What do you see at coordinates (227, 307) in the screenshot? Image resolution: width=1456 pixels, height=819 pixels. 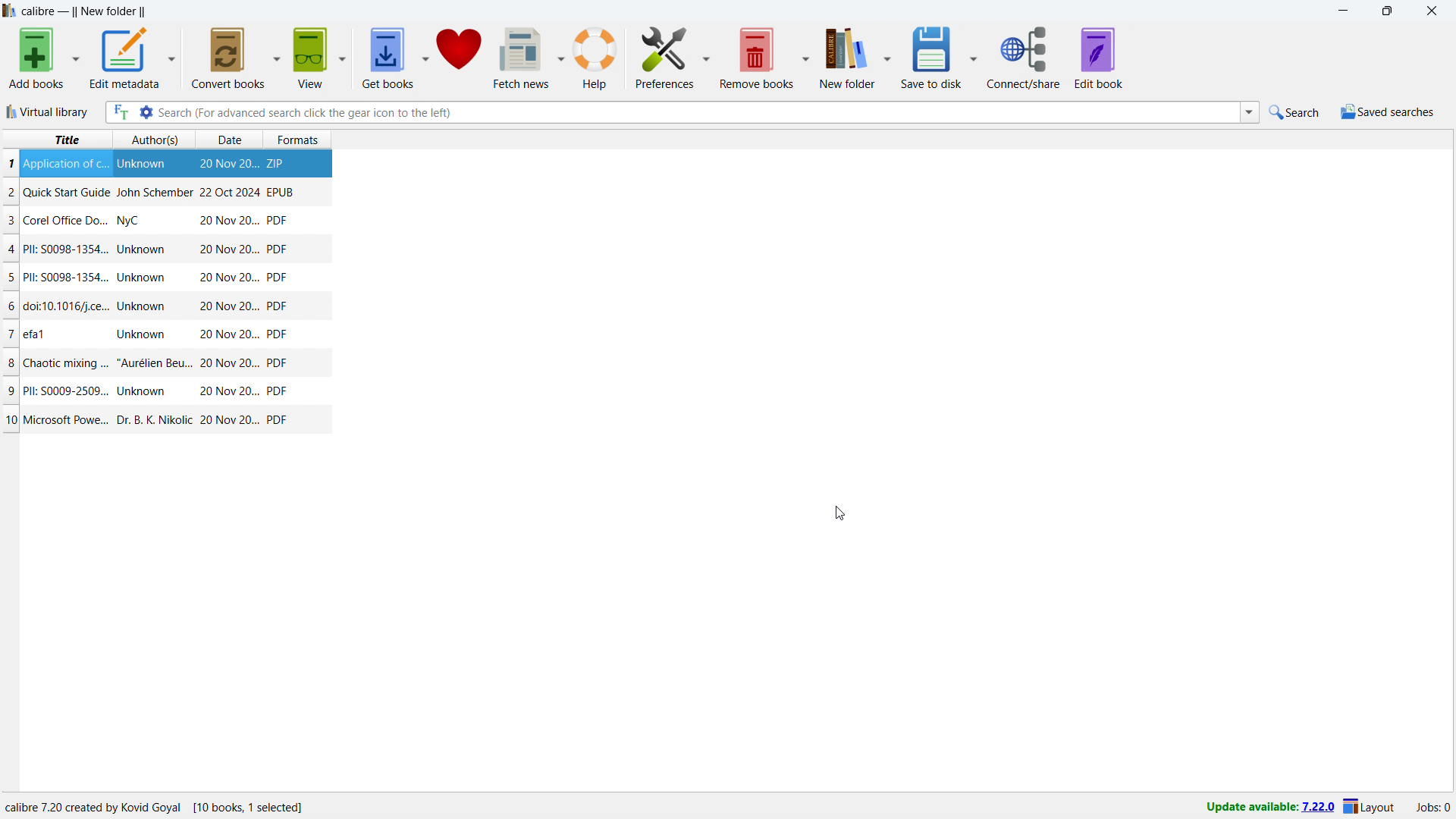 I see `Date` at bounding box center [227, 307].